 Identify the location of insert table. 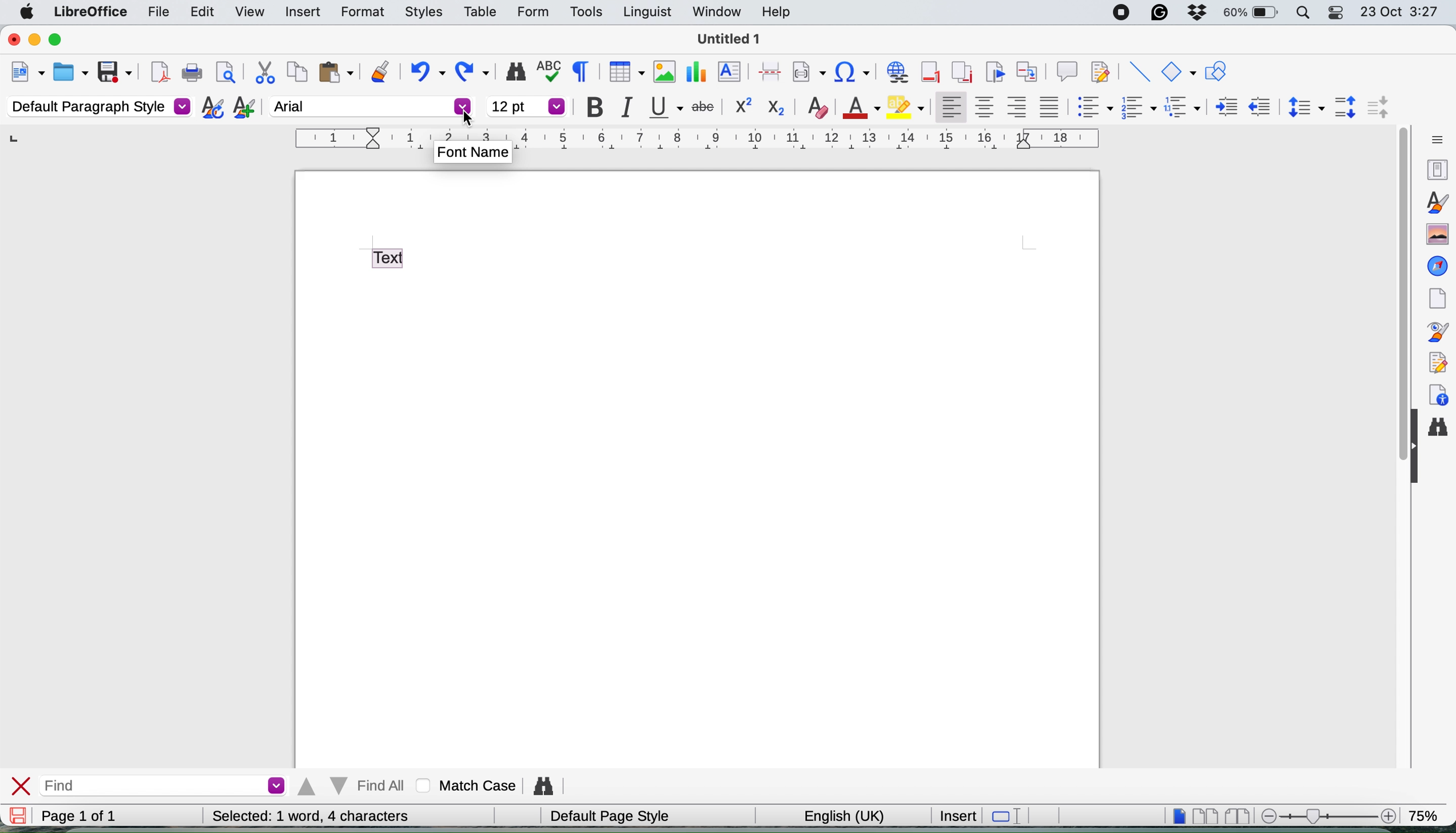
(624, 73).